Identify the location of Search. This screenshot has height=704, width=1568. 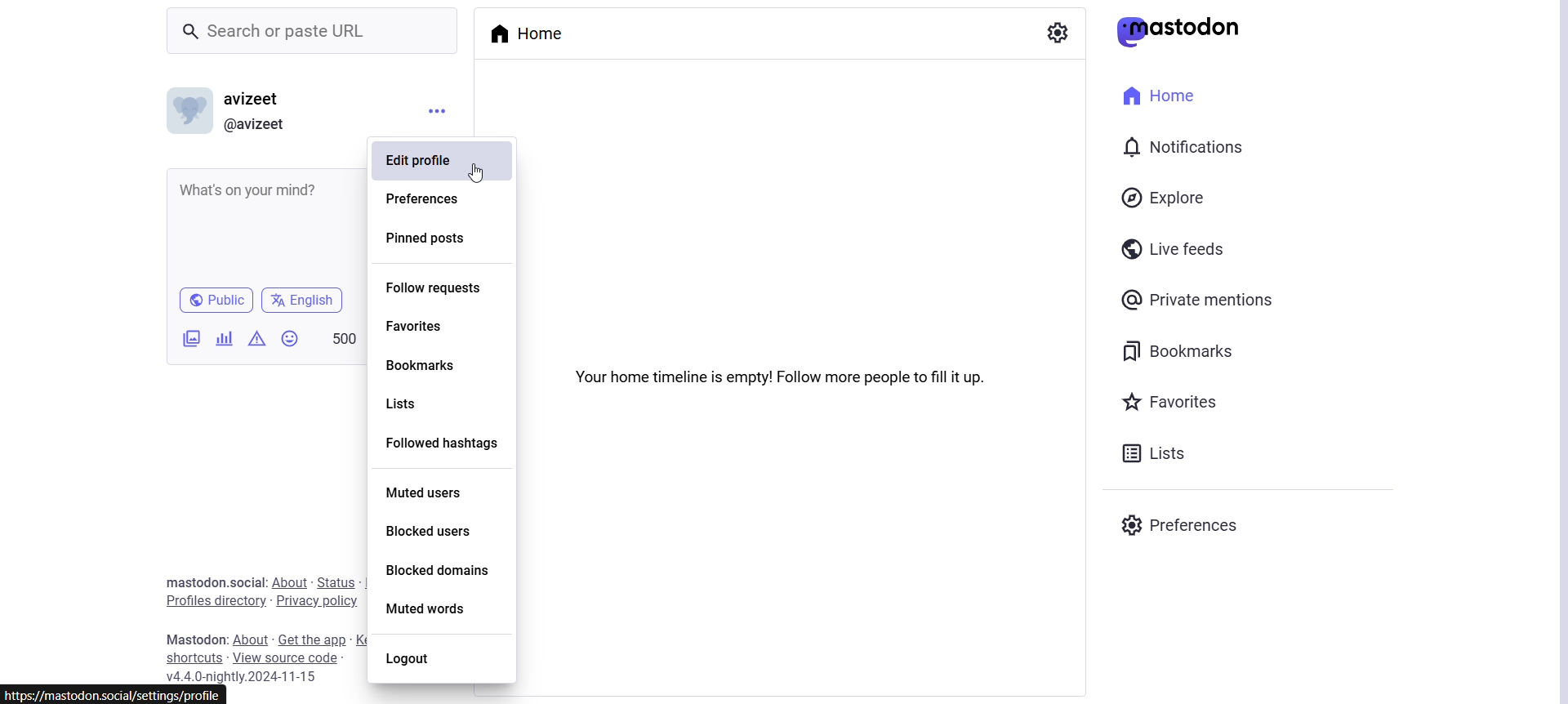
(304, 32).